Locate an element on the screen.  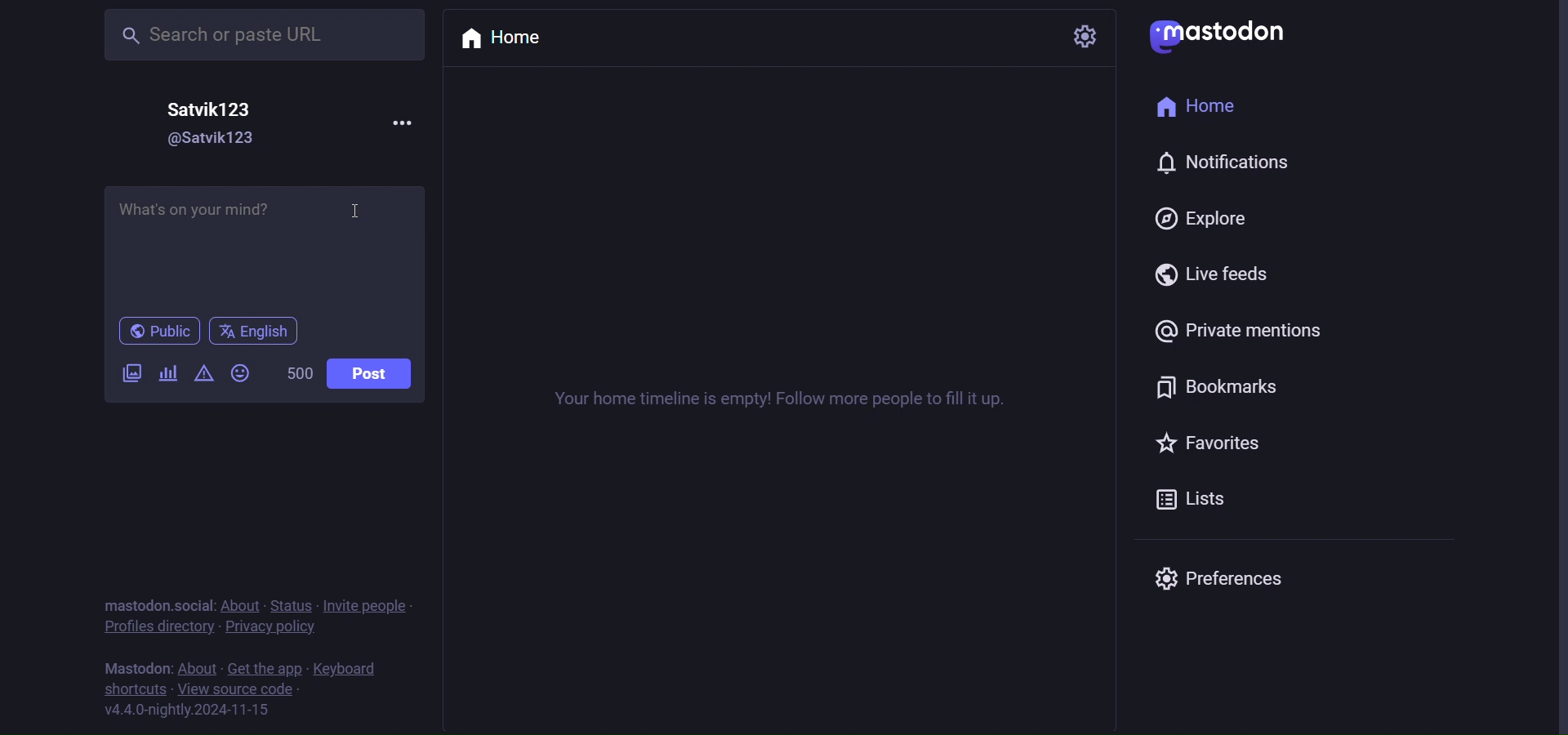
id is located at coordinates (198, 140).